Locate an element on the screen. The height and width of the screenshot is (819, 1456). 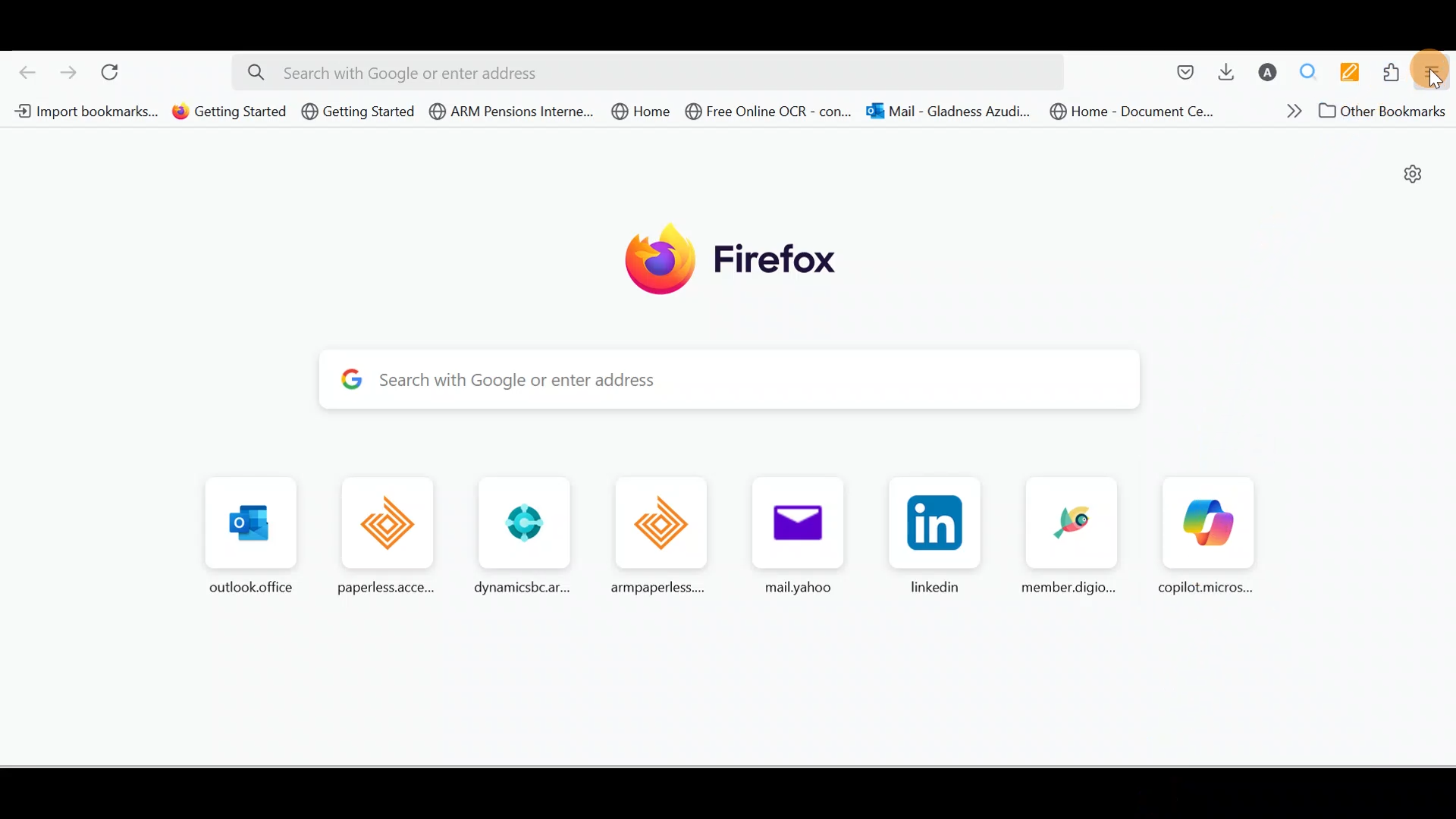
) Free Online OCR - con... is located at coordinates (773, 111).